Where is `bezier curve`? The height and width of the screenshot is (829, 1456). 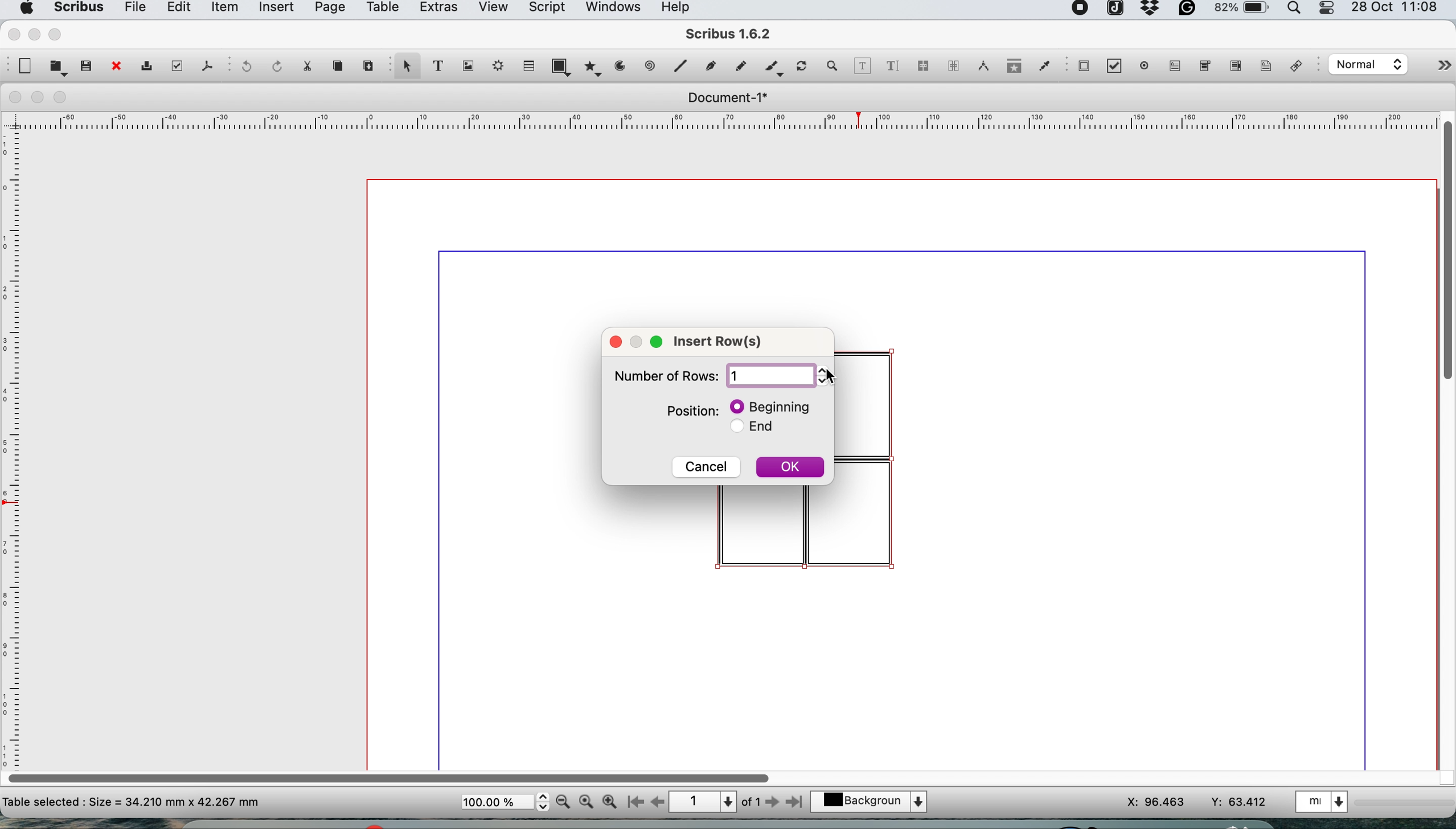 bezier curve is located at coordinates (709, 68).